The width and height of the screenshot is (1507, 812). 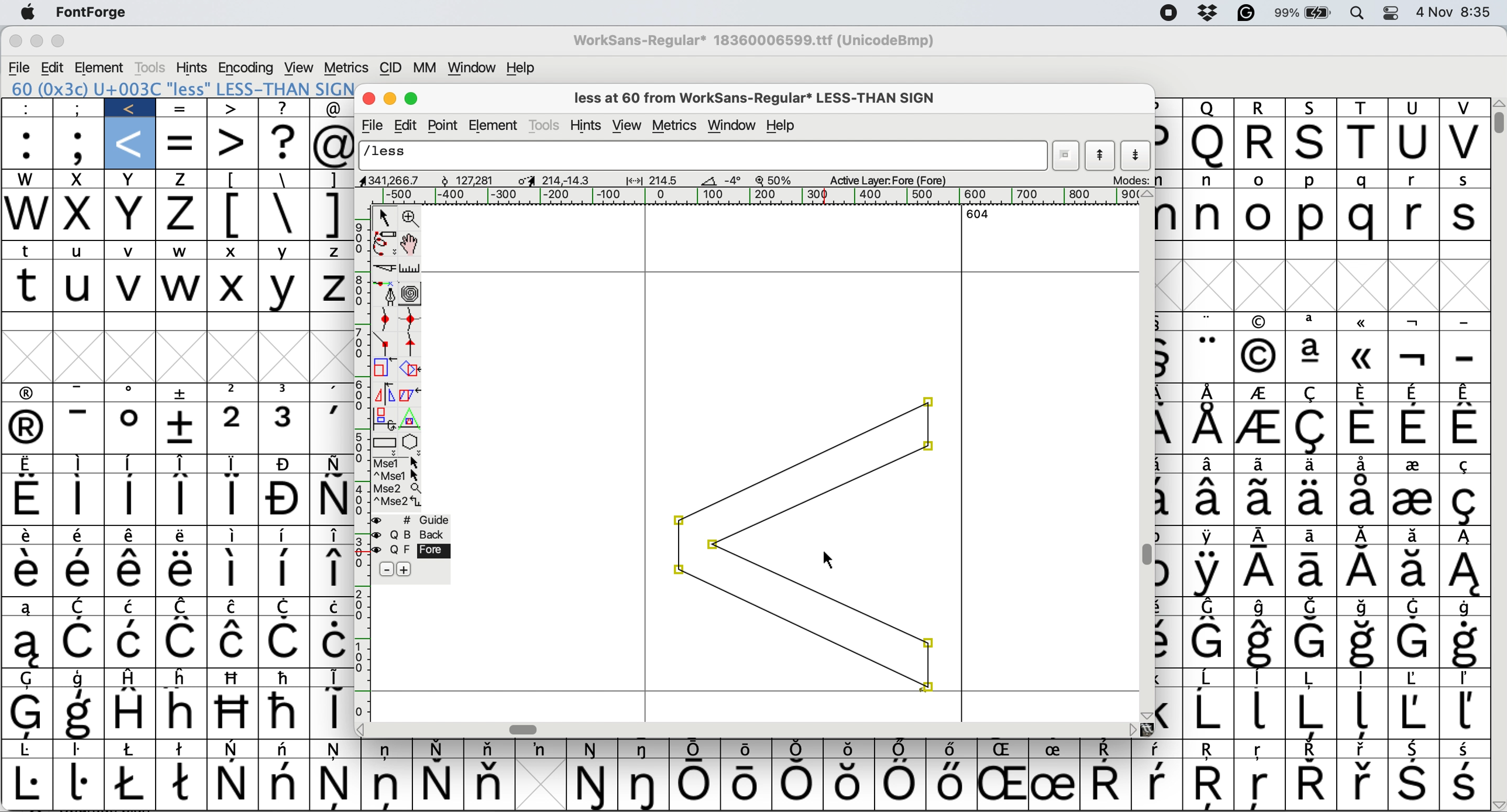 What do you see at coordinates (232, 463) in the screenshot?
I see `Symbol` at bounding box center [232, 463].